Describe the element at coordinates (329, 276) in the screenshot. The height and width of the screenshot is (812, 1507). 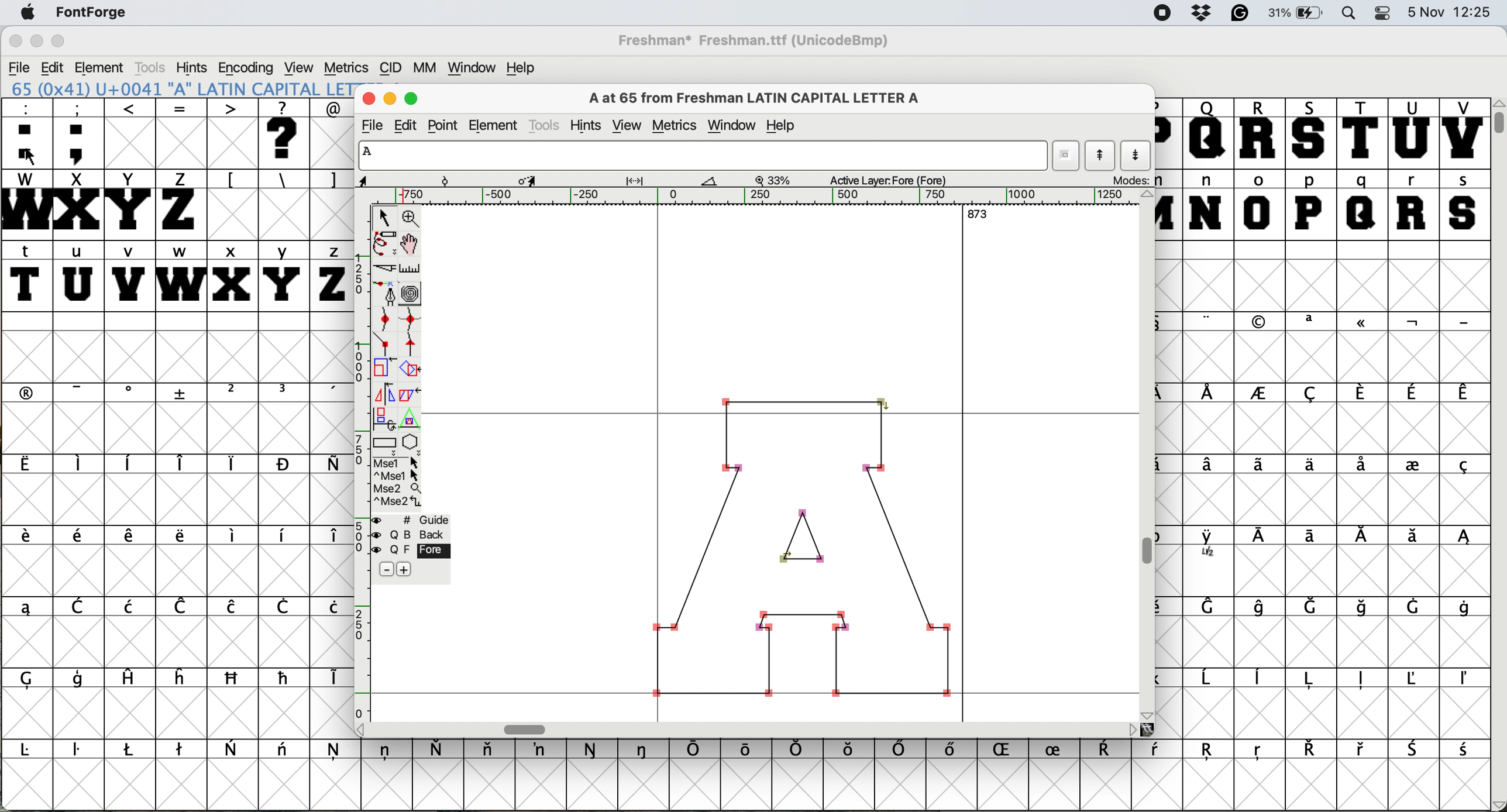
I see `z` at that location.